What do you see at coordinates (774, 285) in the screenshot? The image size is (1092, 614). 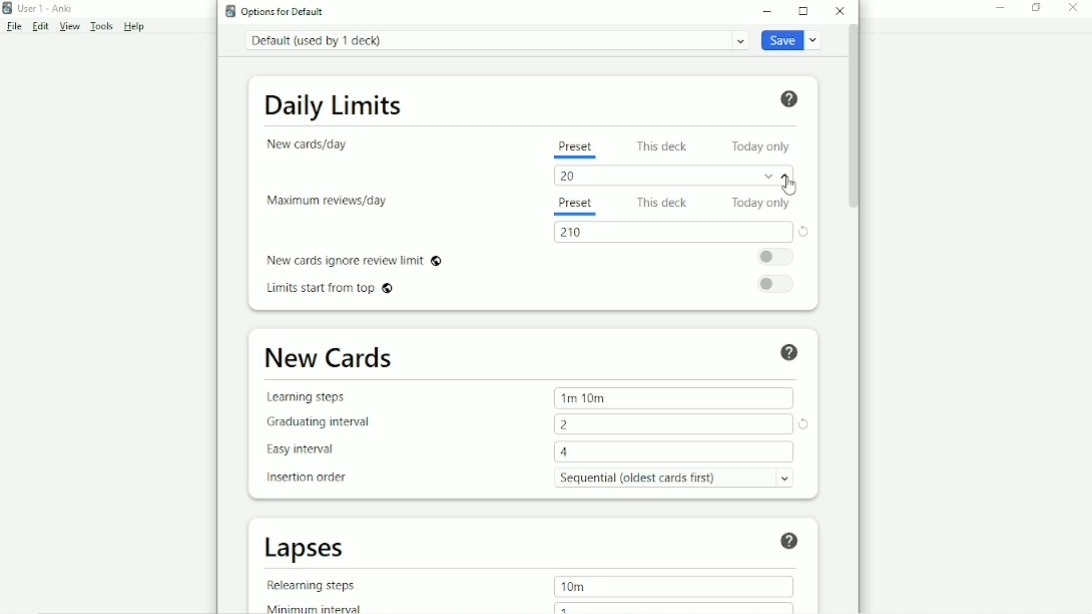 I see `Toggle on/off` at bounding box center [774, 285].